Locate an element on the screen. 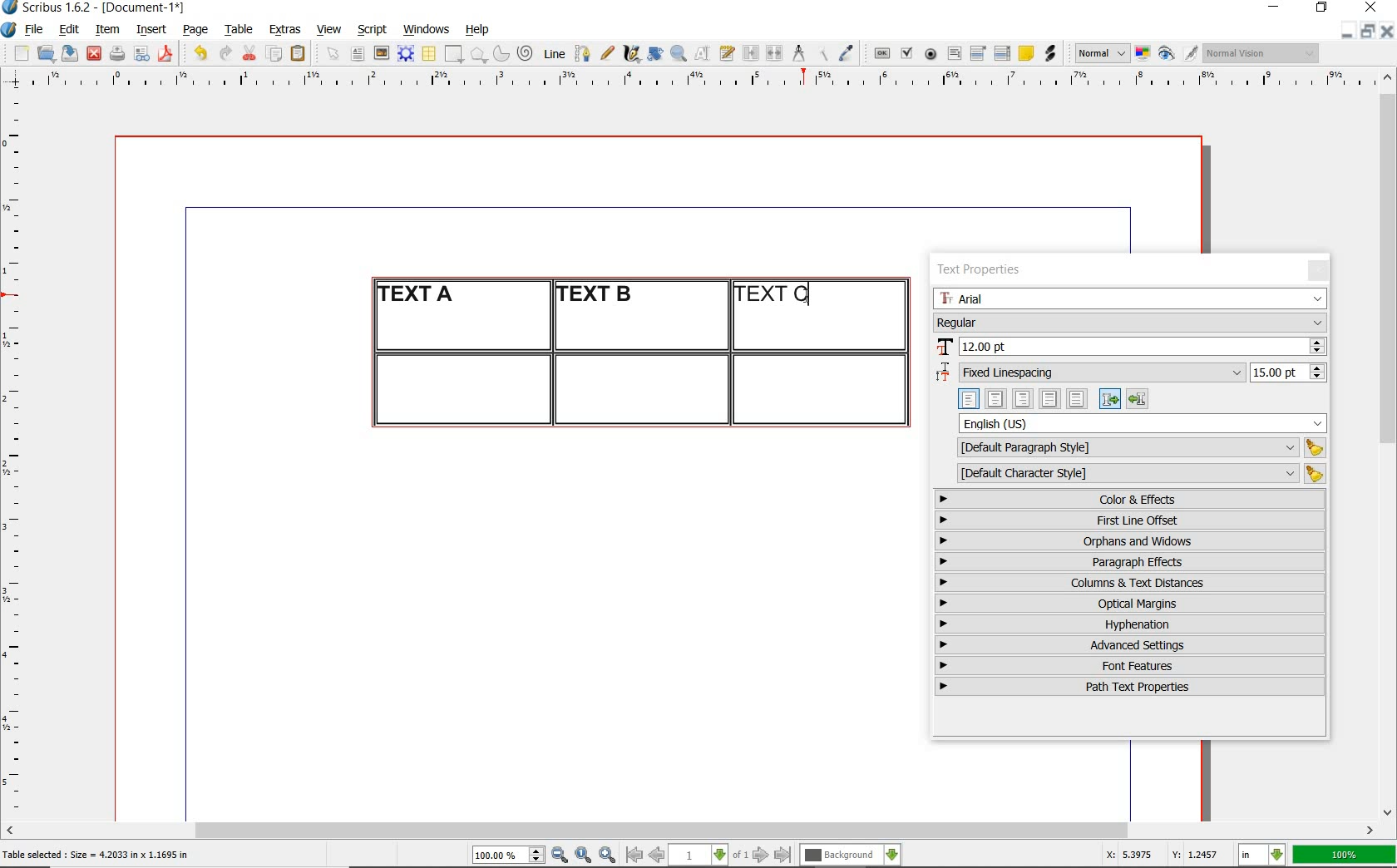 This screenshot has height=868, width=1397. view is located at coordinates (329, 29).